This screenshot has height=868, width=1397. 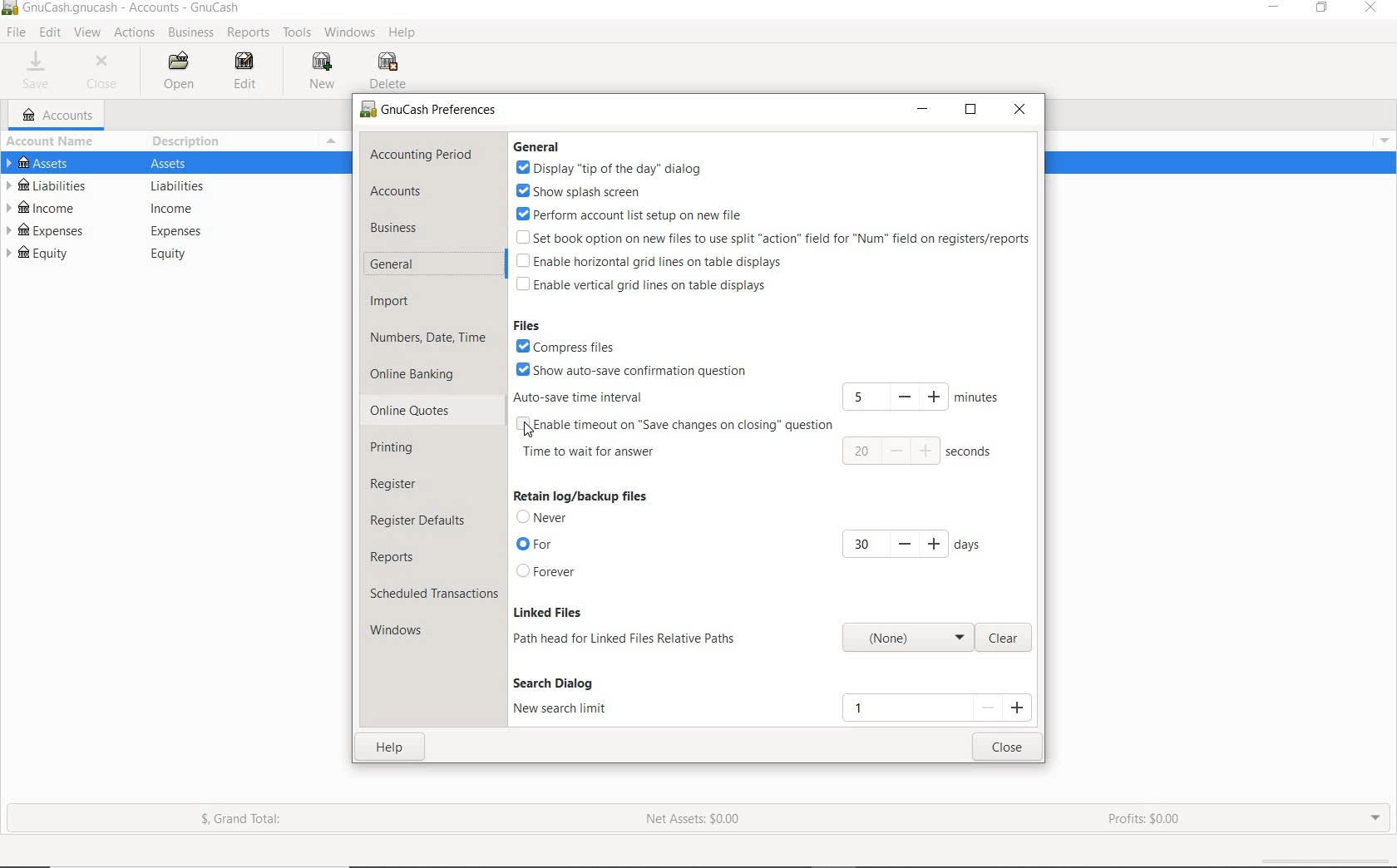 What do you see at coordinates (562, 710) in the screenshot?
I see `new search limit` at bounding box center [562, 710].